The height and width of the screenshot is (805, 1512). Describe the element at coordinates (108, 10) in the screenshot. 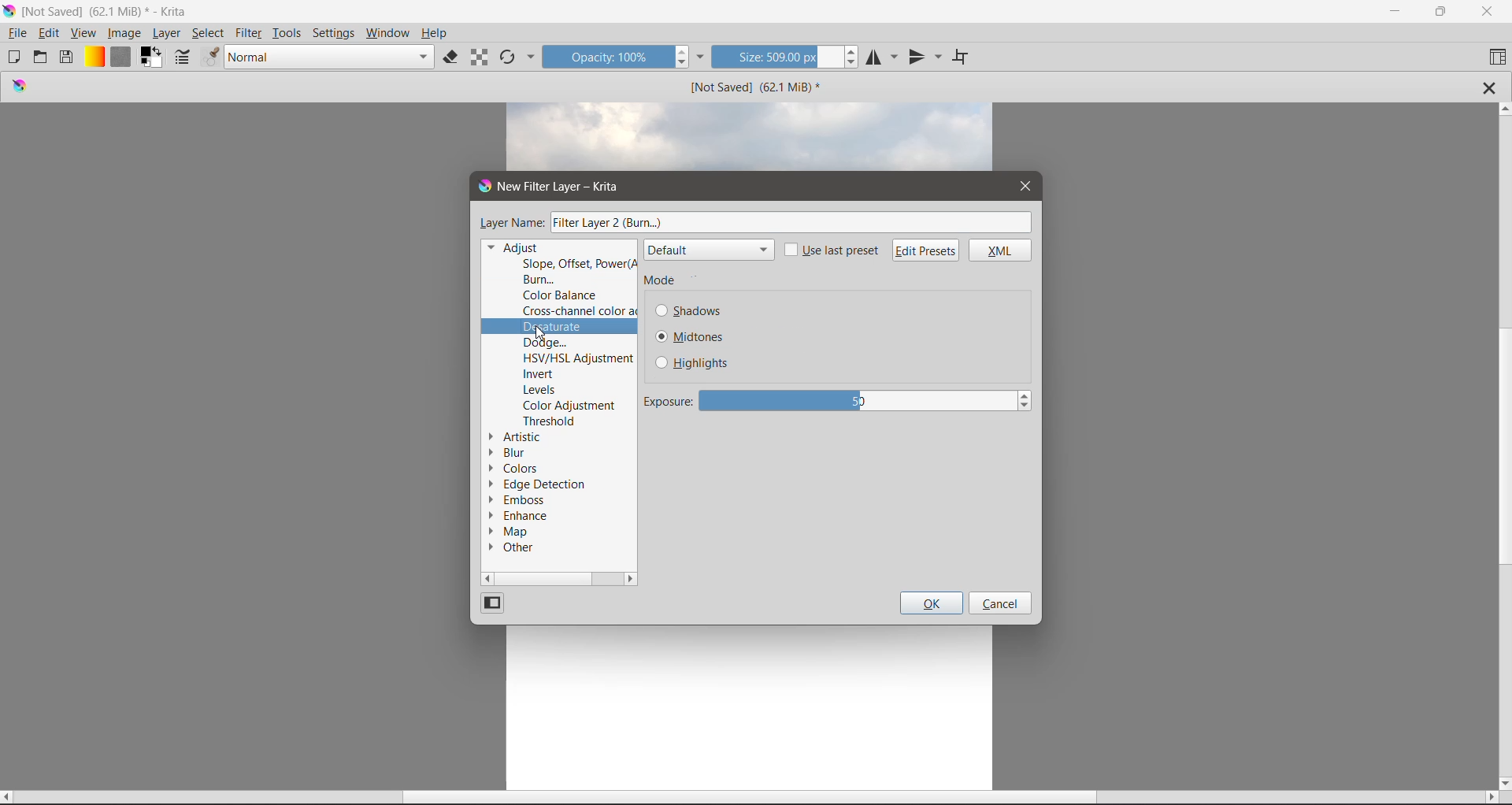

I see `Application Name` at that location.